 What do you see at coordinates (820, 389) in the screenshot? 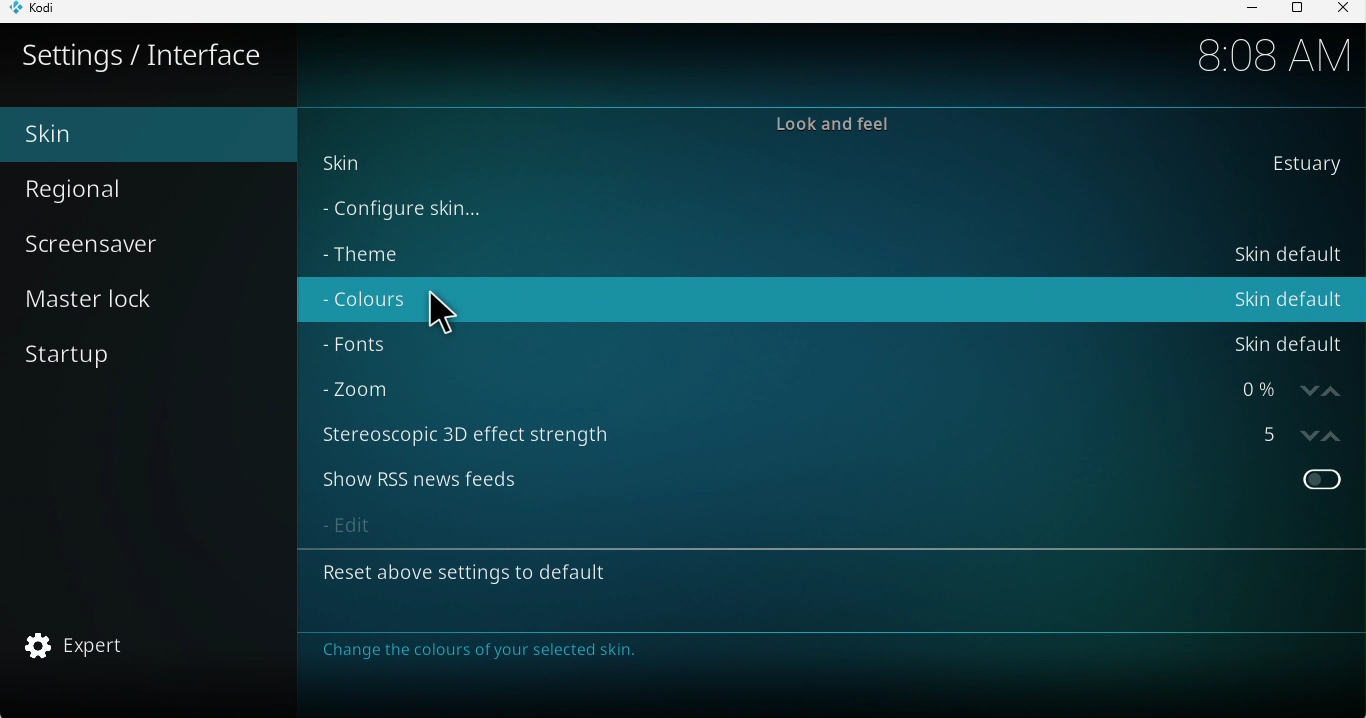
I see `Zoom` at bounding box center [820, 389].